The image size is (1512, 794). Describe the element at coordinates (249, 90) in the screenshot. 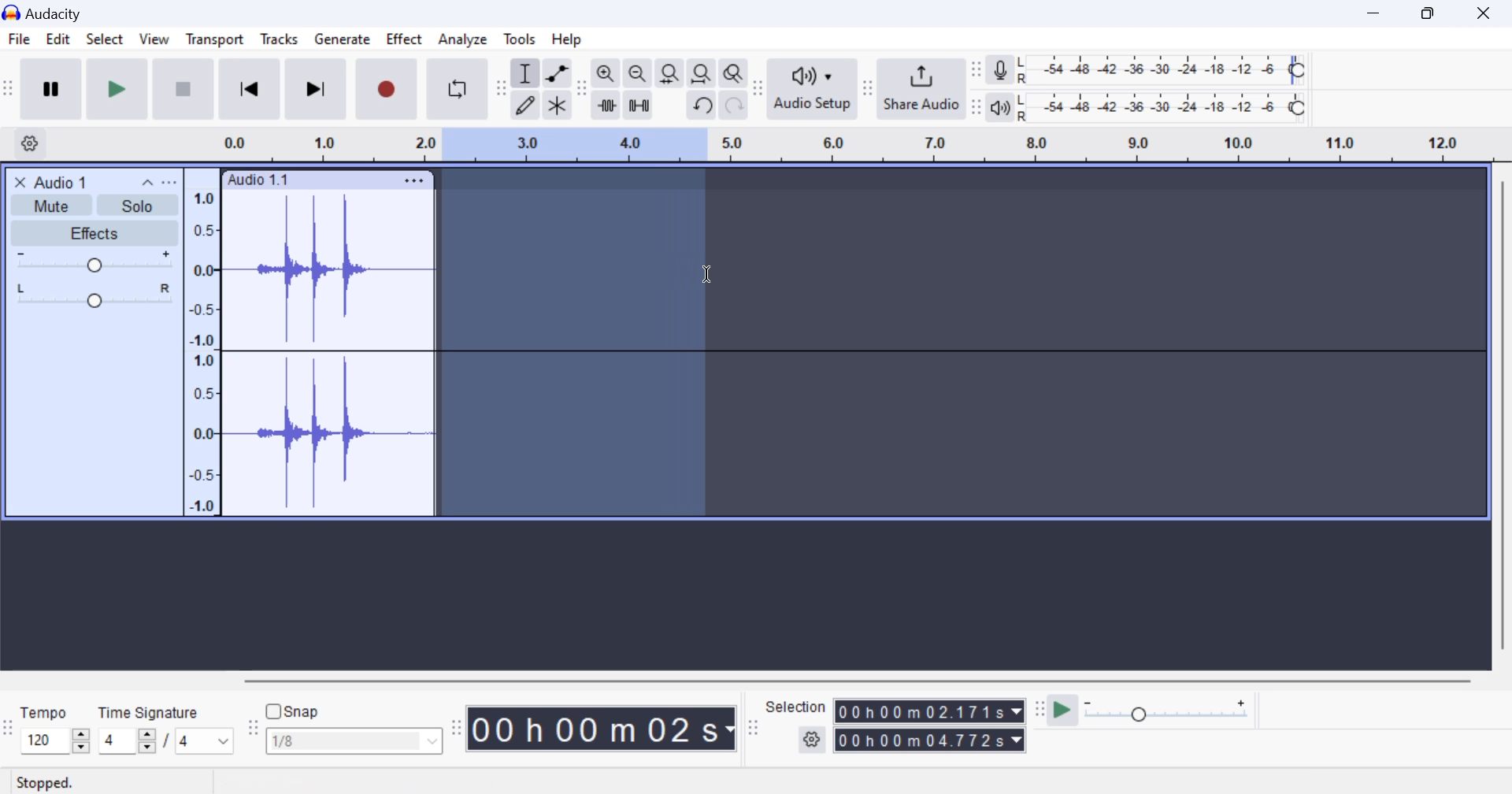

I see `Skip to Beginning` at that location.